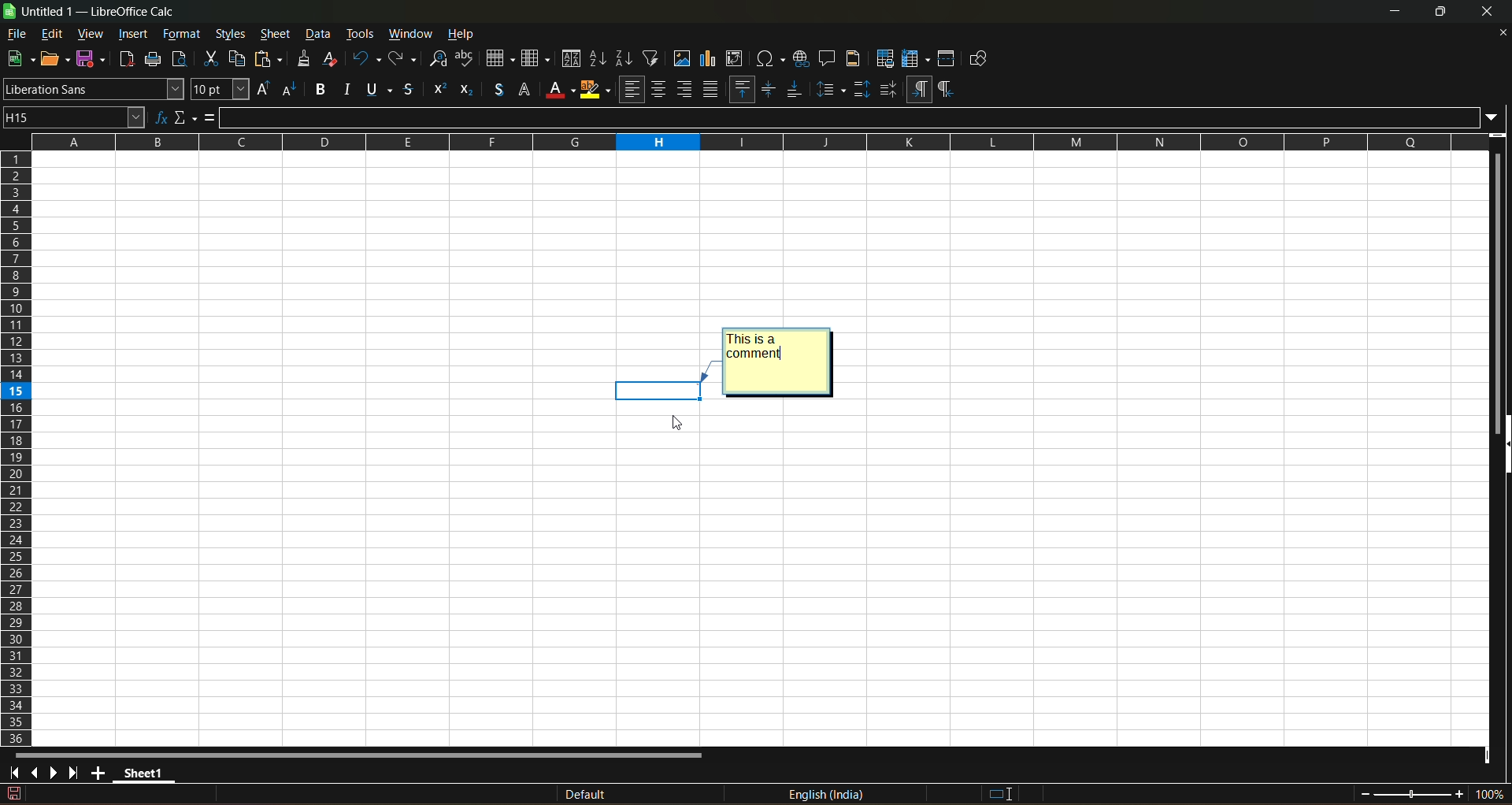 Image resolution: width=1512 pixels, height=805 pixels. I want to click on split window, so click(947, 57).